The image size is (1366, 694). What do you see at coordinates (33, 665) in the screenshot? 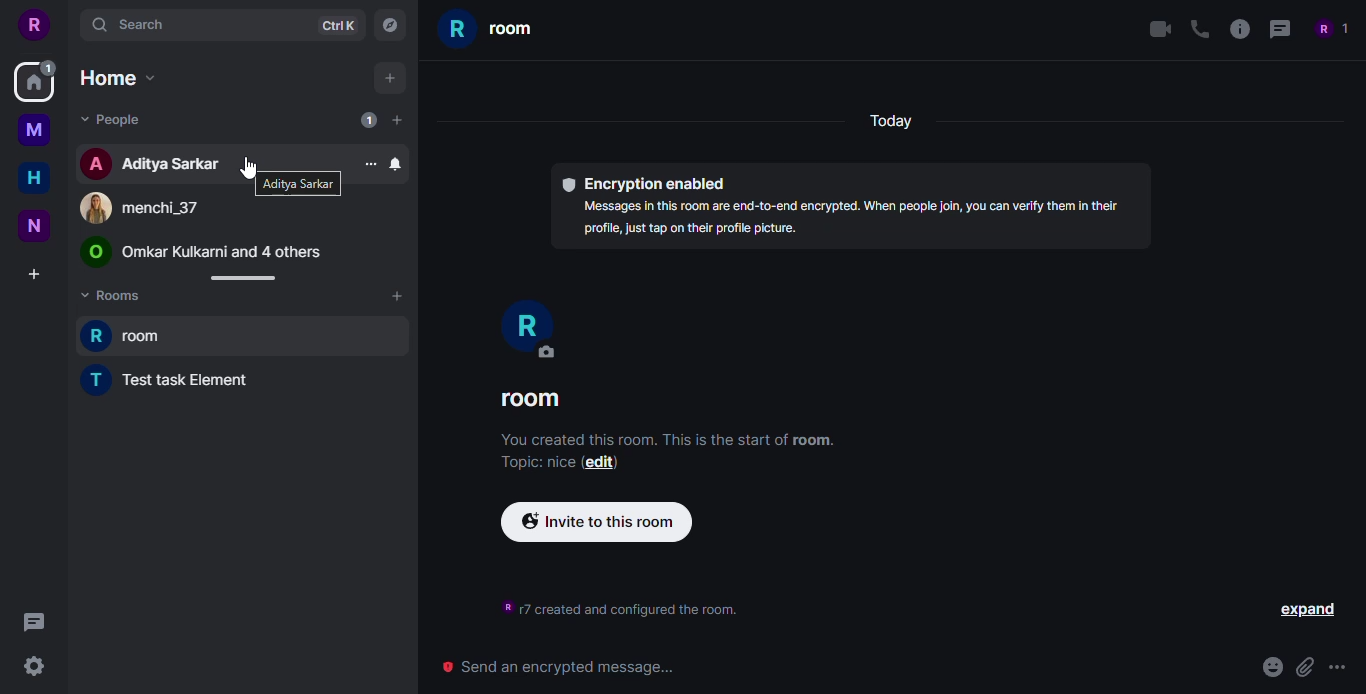
I see `quick settings` at bounding box center [33, 665].